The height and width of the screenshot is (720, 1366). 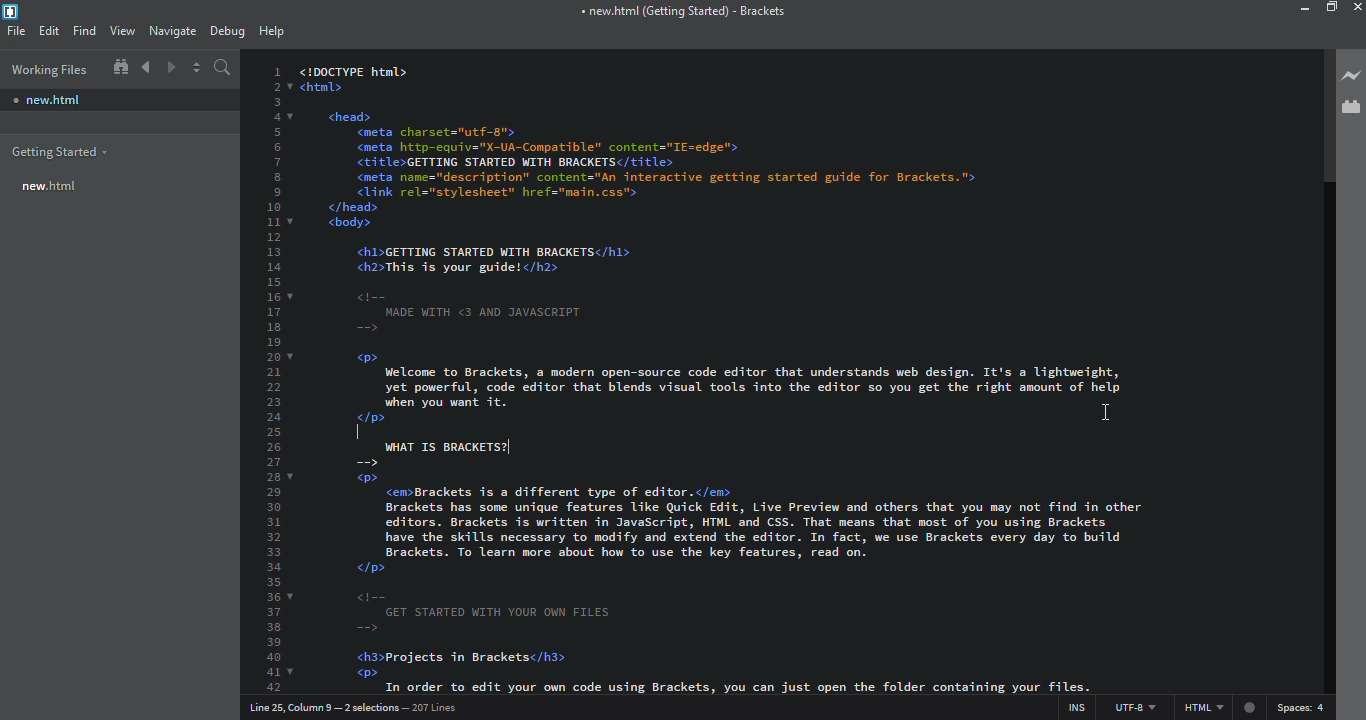 I want to click on utf 8, so click(x=1131, y=705).